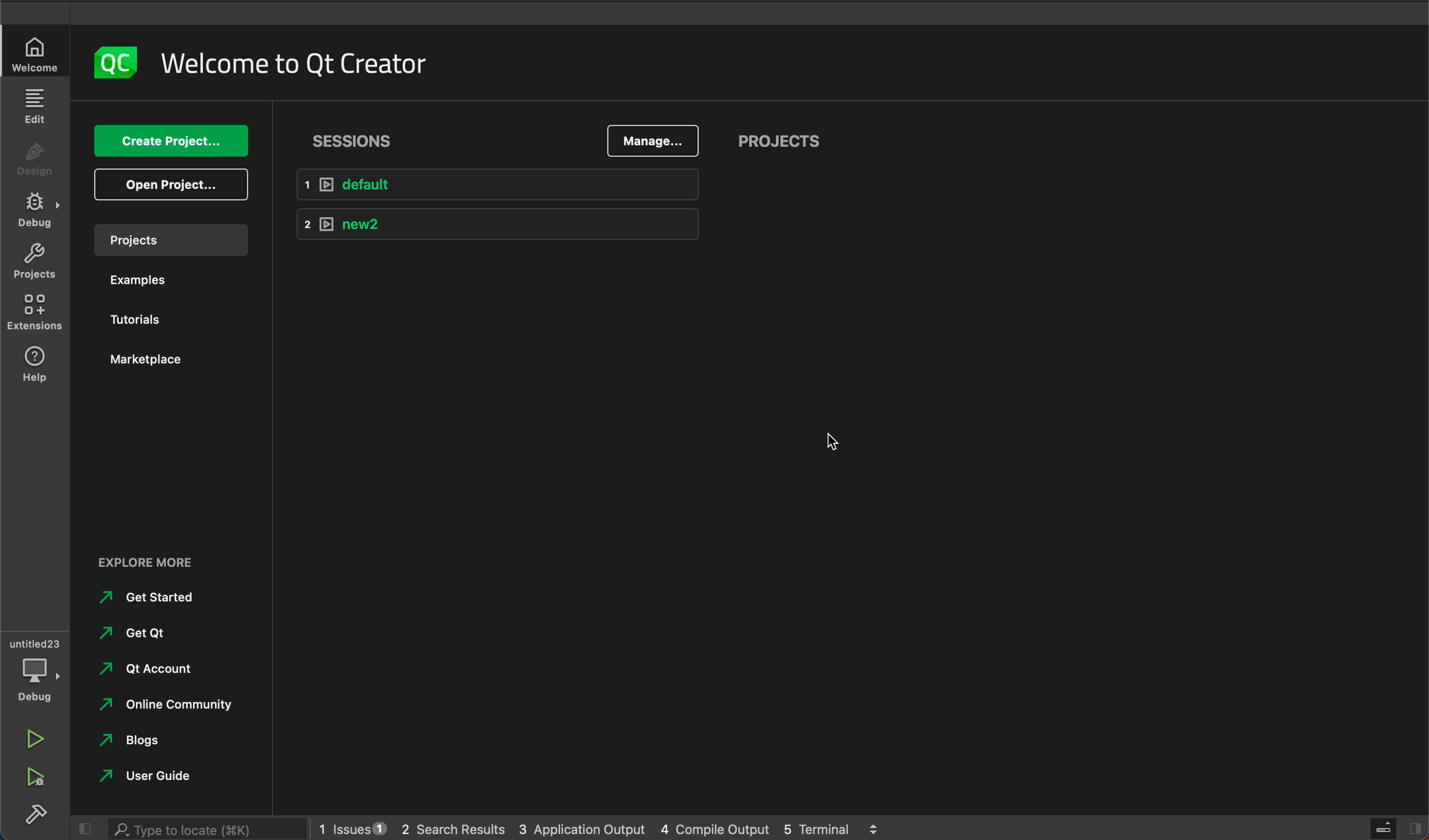 The width and height of the screenshot is (1429, 840). What do you see at coordinates (171, 563) in the screenshot?
I see `external link` at bounding box center [171, 563].